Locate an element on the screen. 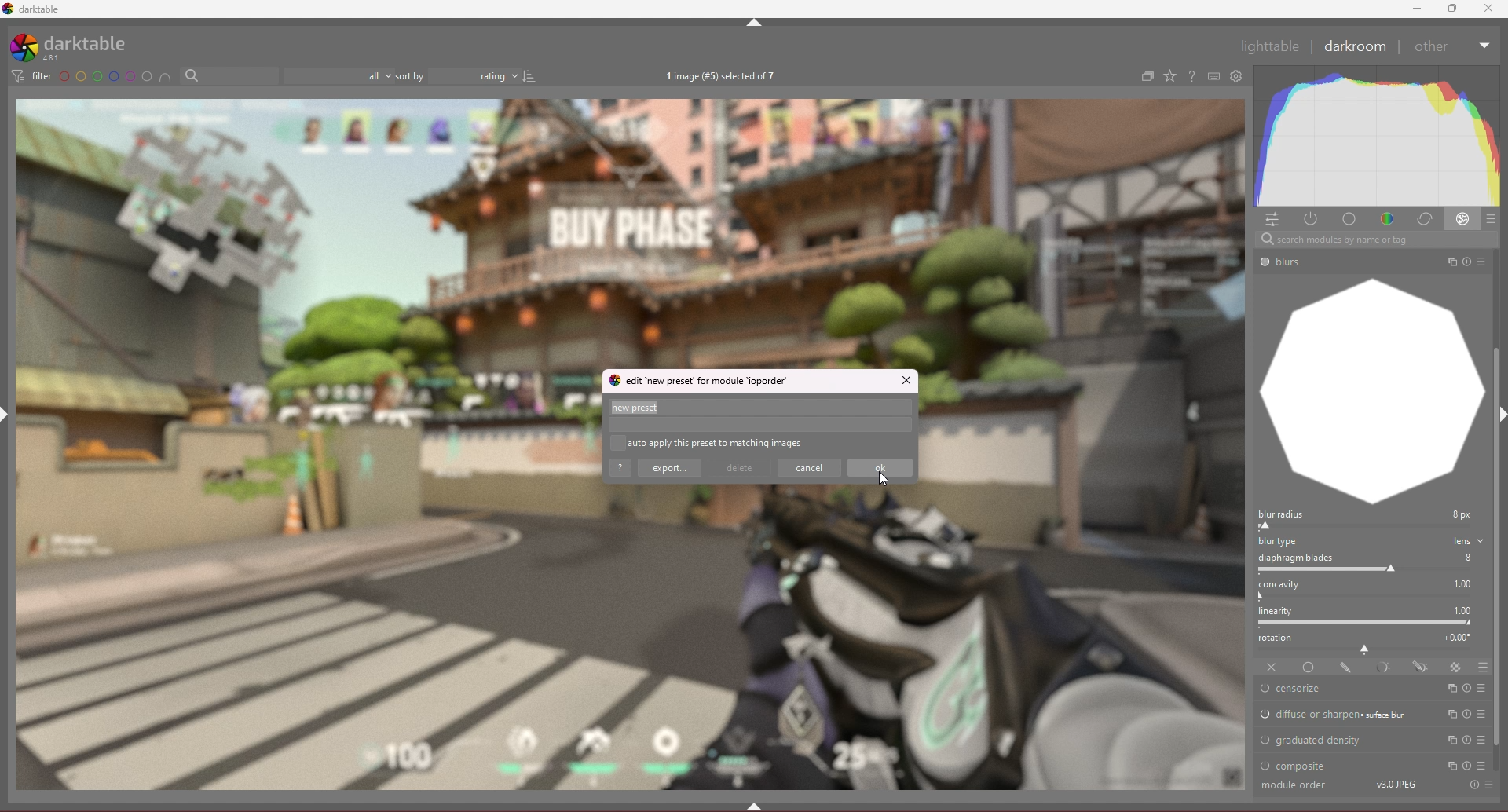  cursor description is located at coordinates (1485, 763).